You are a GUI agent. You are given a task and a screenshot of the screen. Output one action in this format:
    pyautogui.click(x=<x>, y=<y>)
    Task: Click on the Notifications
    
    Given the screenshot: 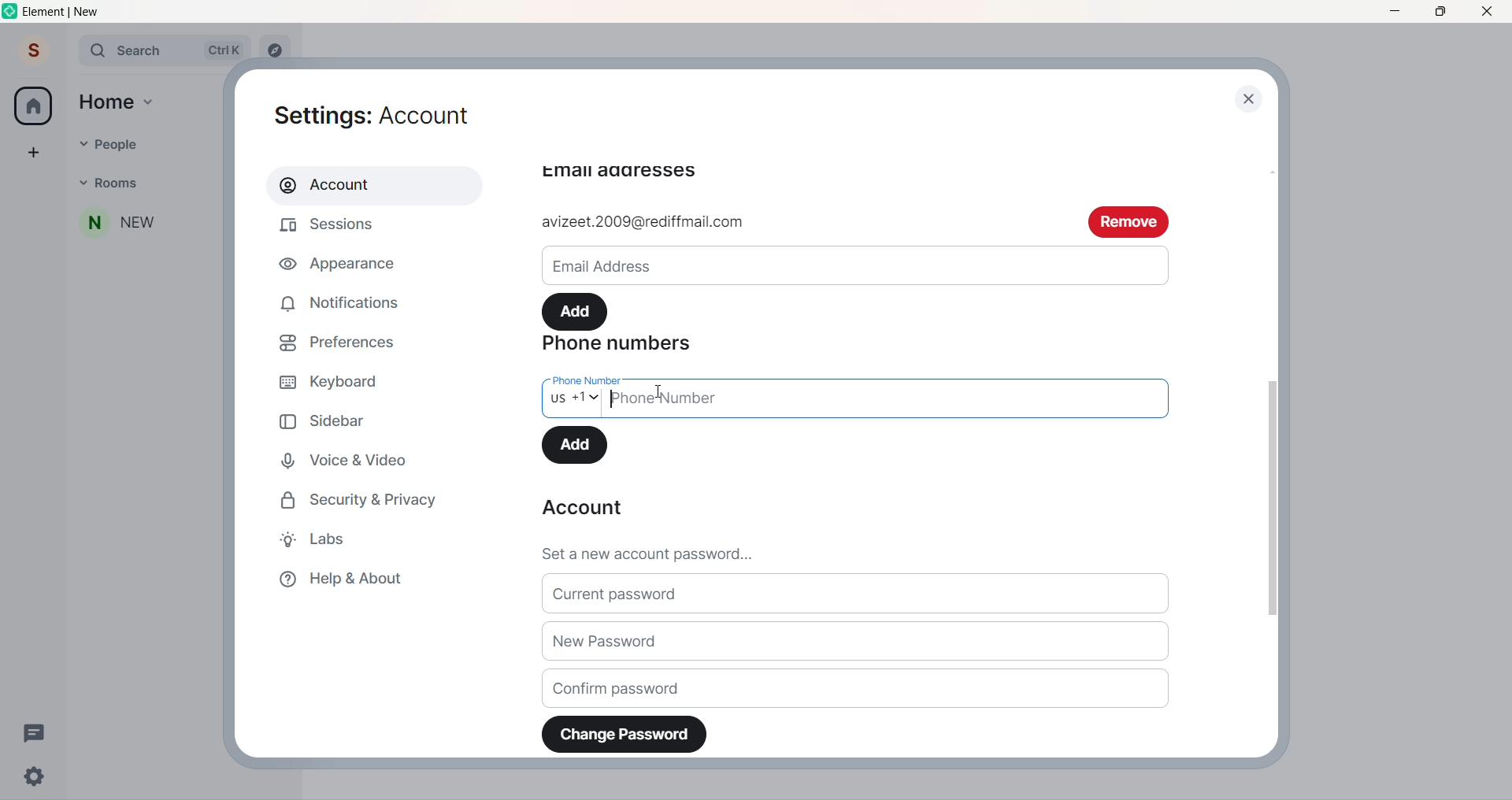 What is the action you would take?
    pyautogui.click(x=346, y=300)
    